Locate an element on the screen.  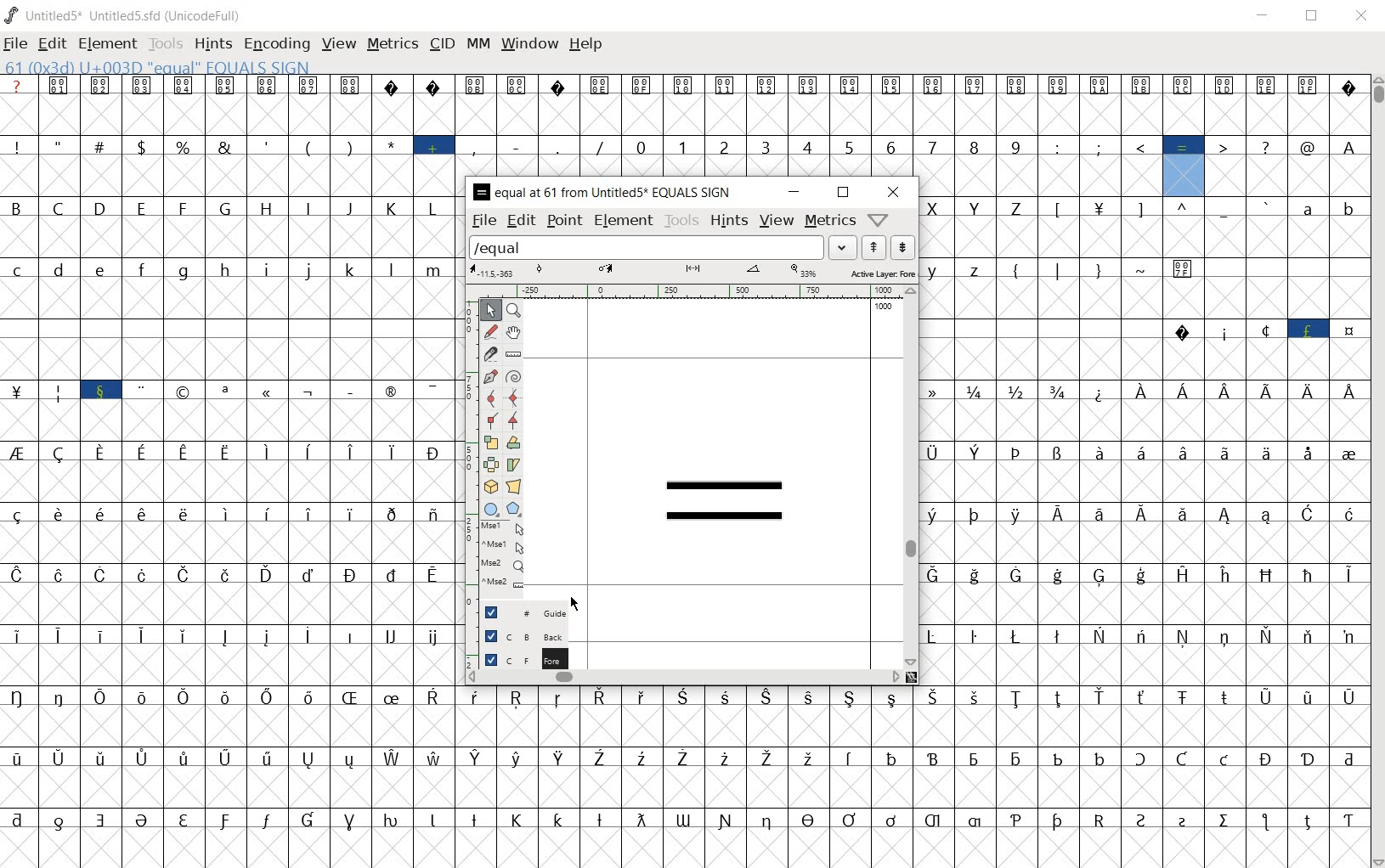
Guide is located at coordinates (520, 613).